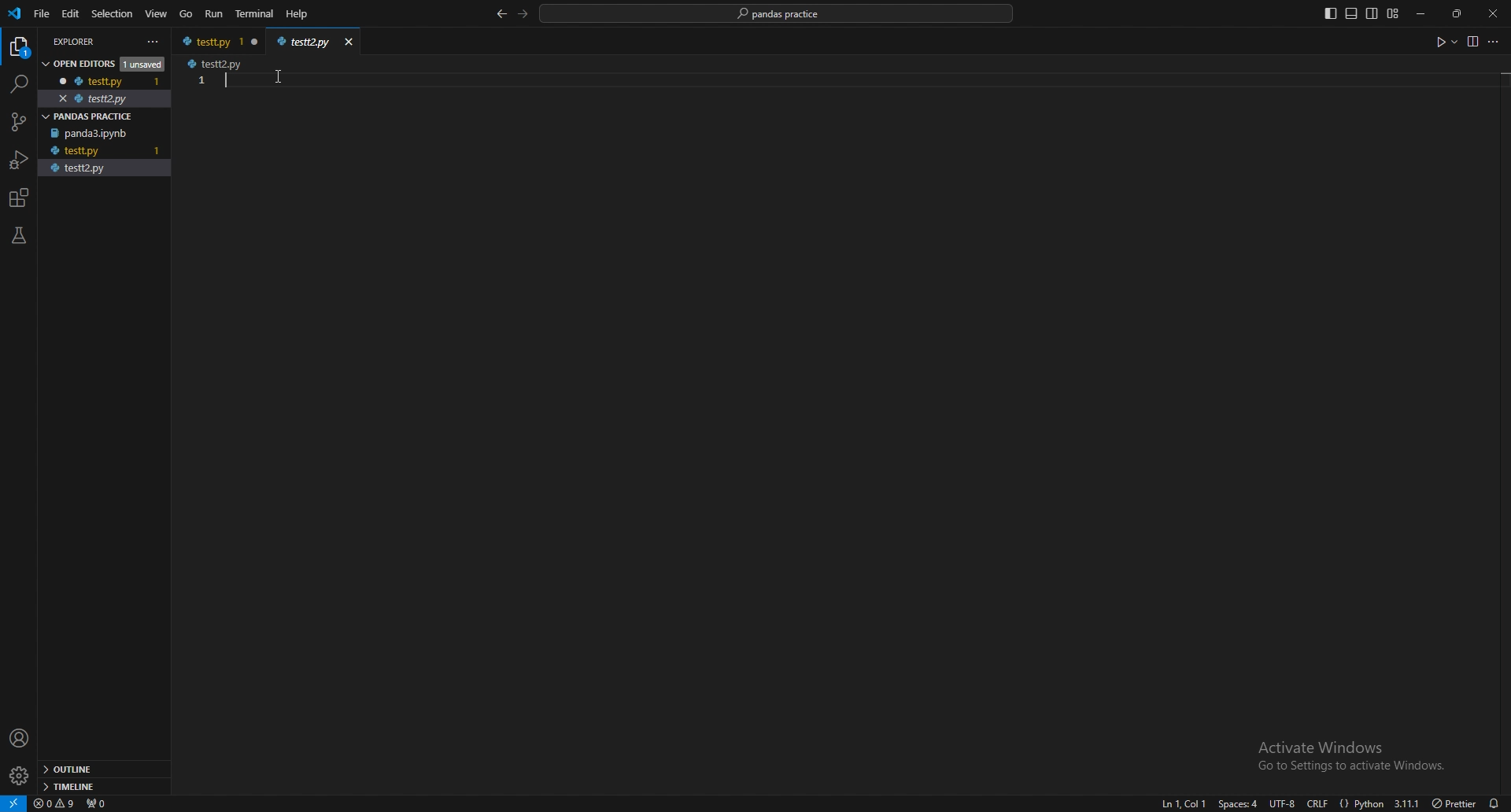 Image resolution: width=1511 pixels, height=812 pixels. I want to click on alarms, so click(1494, 803).